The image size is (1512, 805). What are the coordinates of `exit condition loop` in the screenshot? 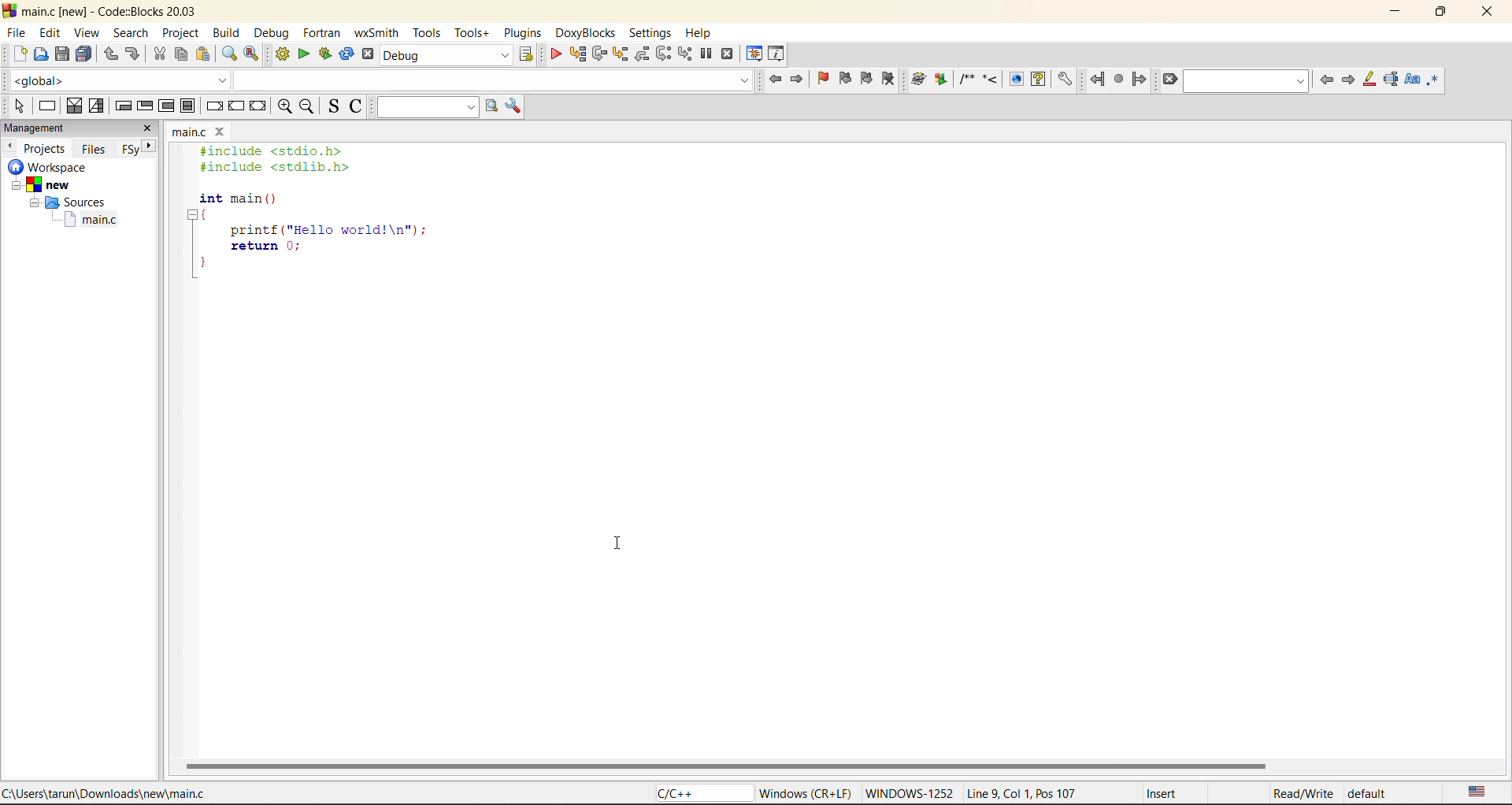 It's located at (146, 106).